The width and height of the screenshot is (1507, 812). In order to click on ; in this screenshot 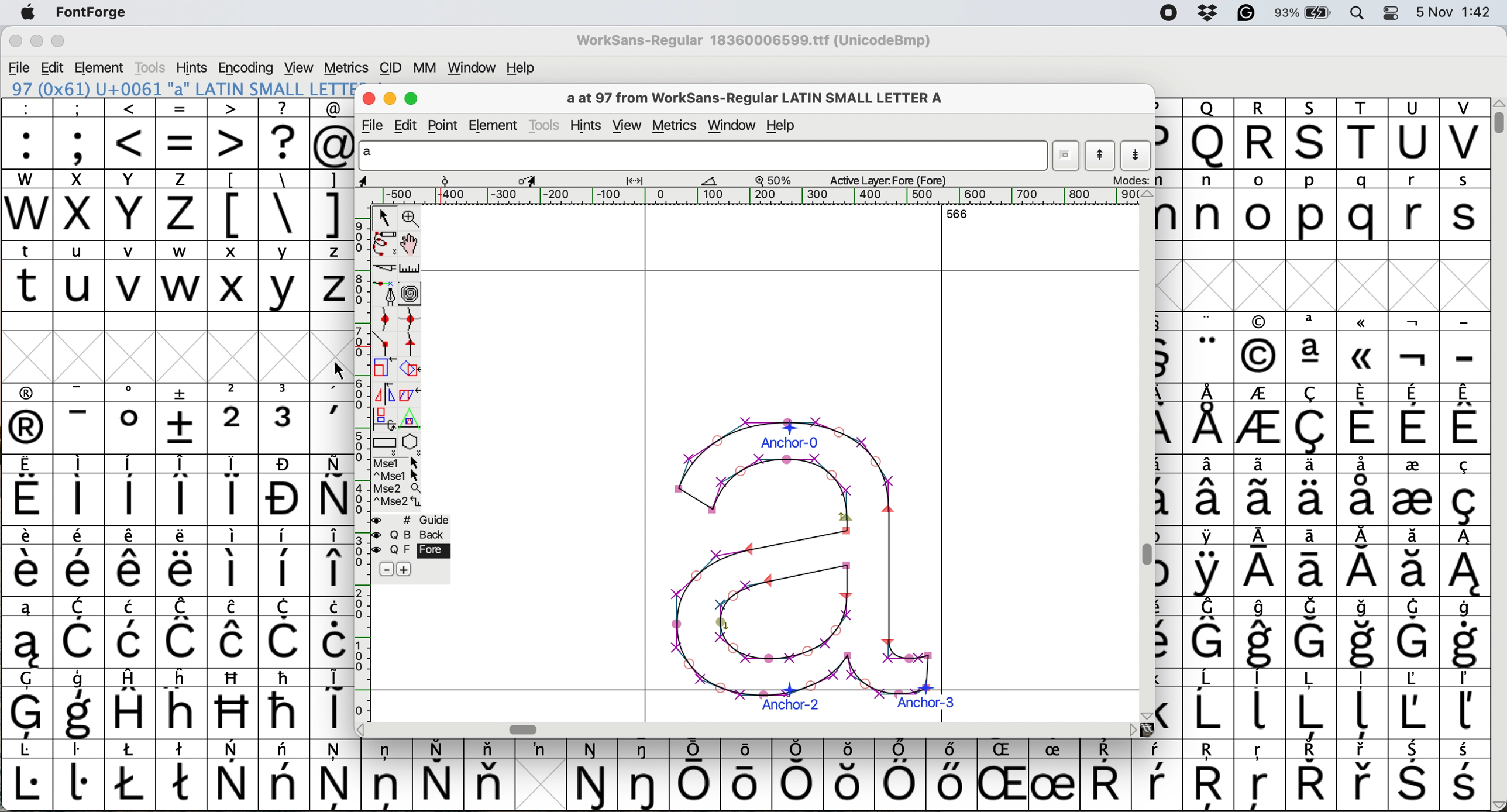, I will do `click(79, 132)`.